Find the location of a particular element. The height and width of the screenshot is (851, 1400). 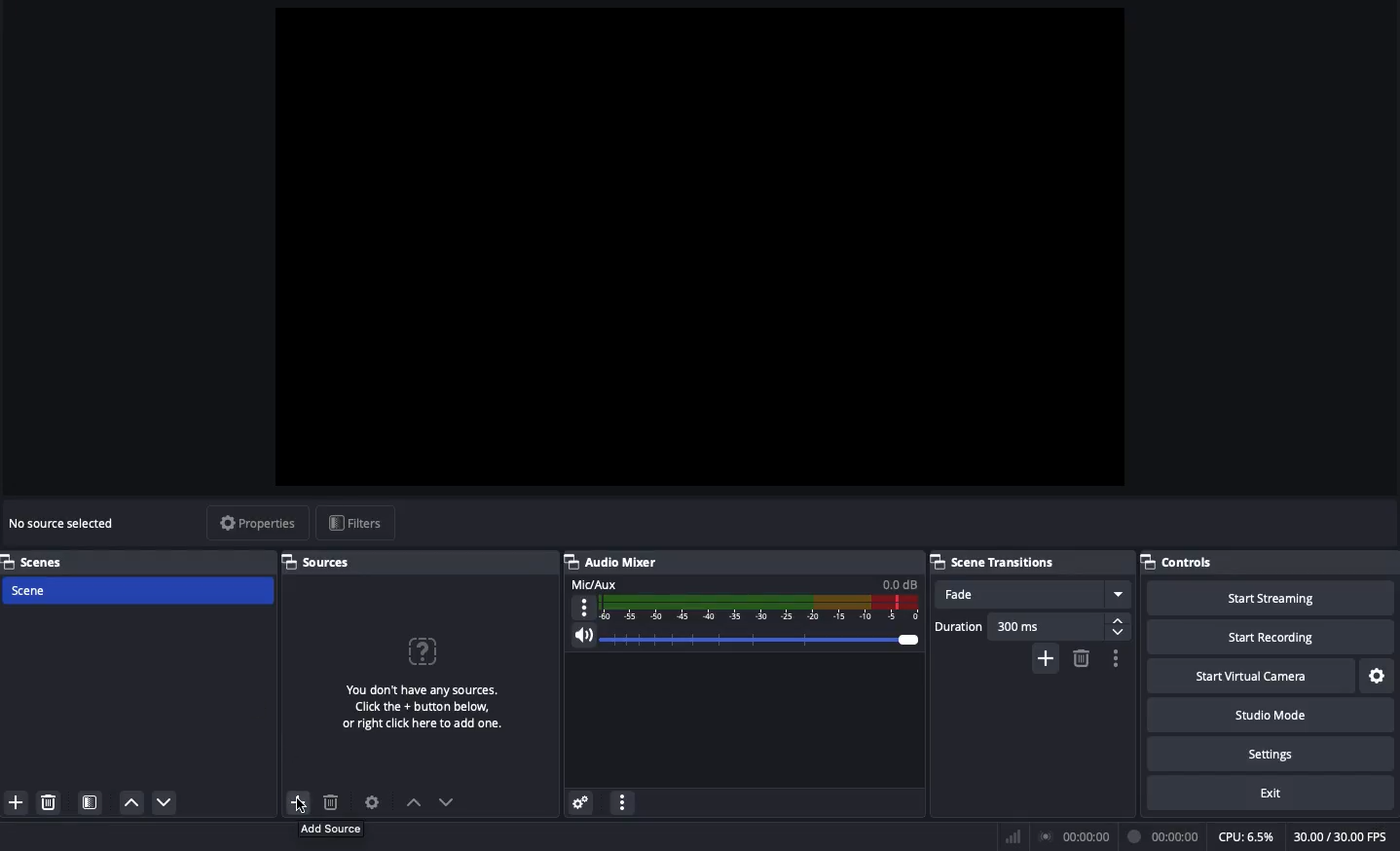

options is located at coordinates (622, 804).